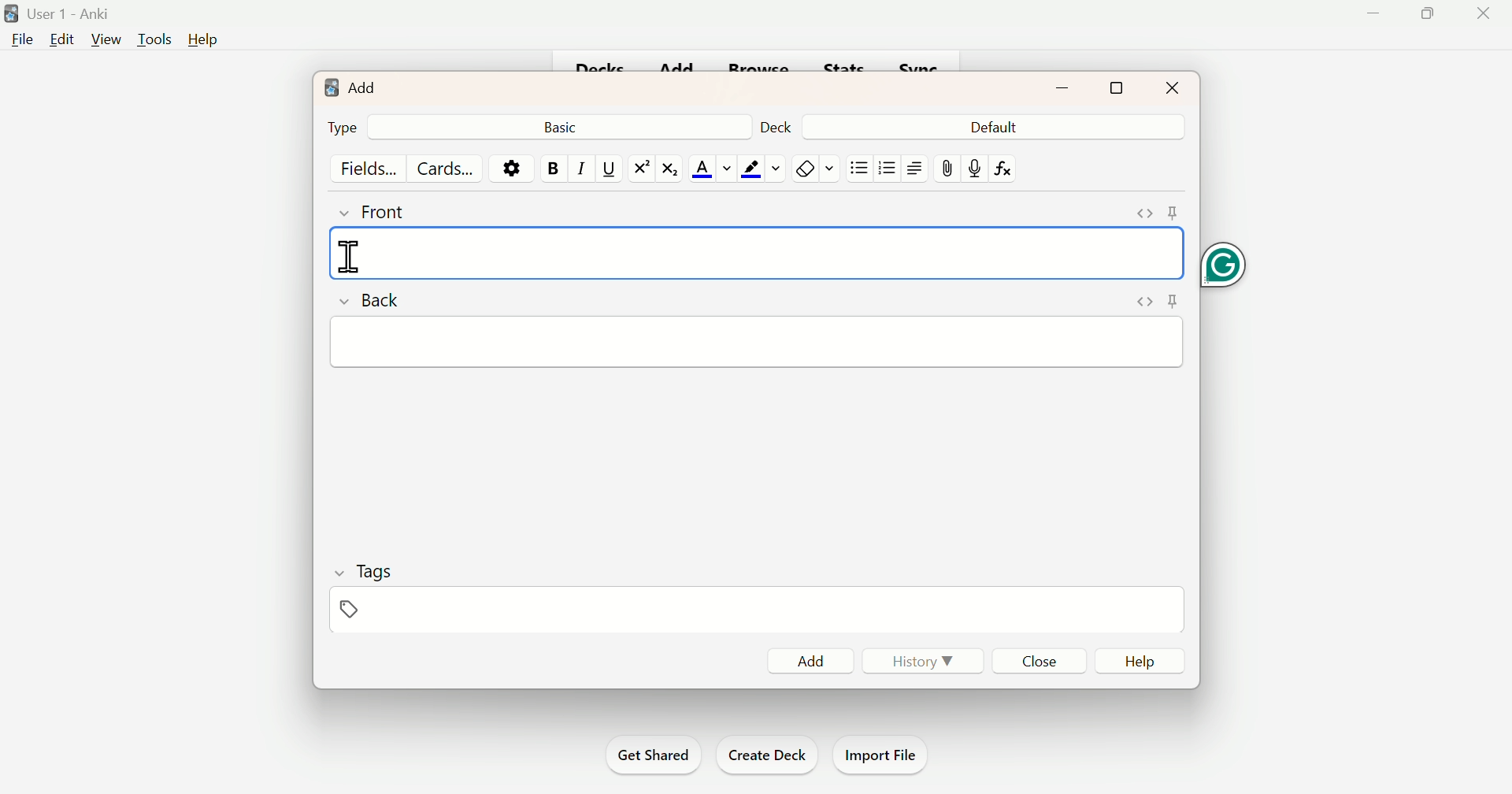 Image resolution: width=1512 pixels, height=794 pixels. Describe the element at coordinates (1484, 13) in the screenshot. I see `Close` at that location.